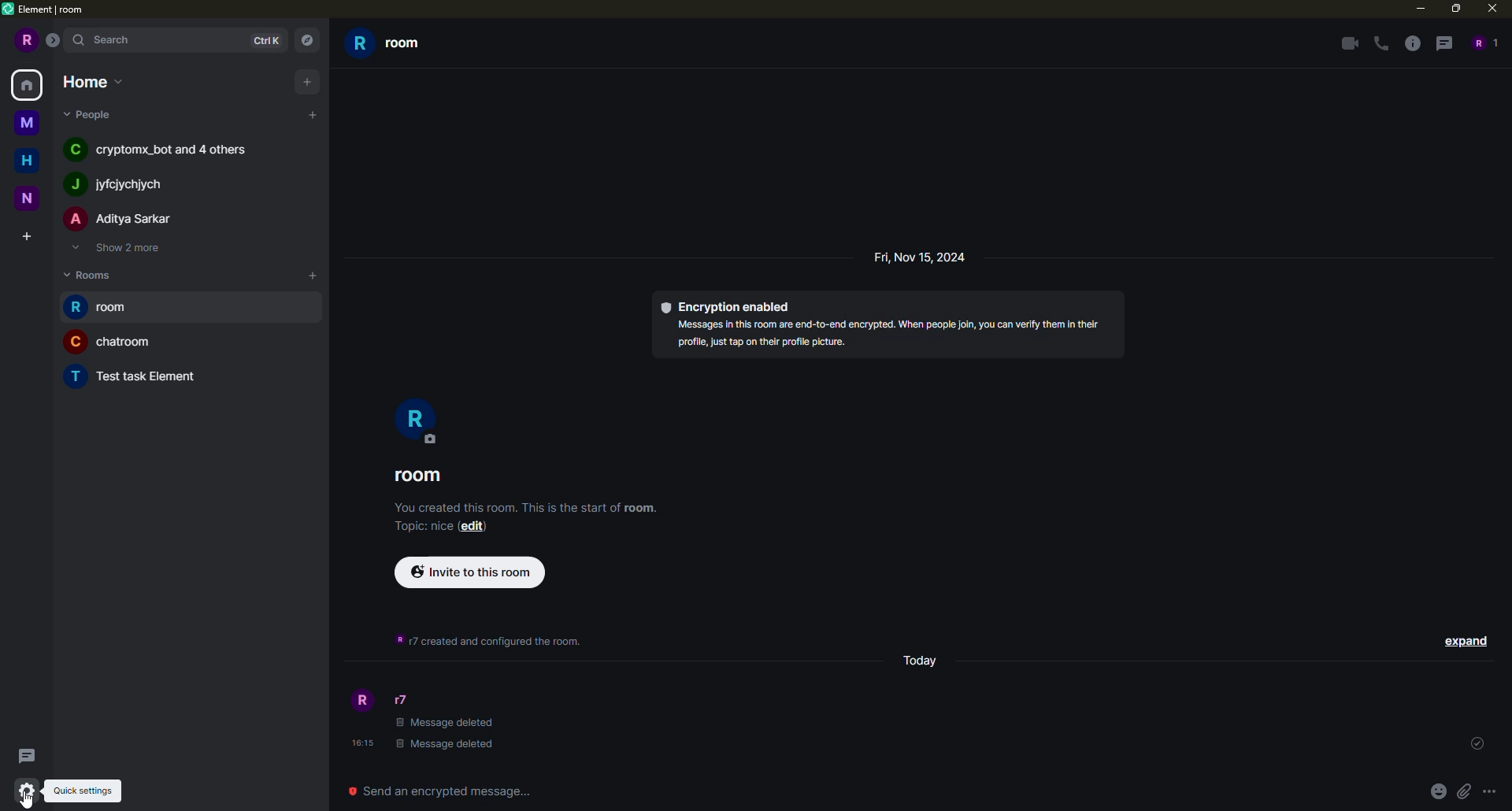 This screenshot has height=811, width=1512. I want to click on r7, so click(409, 700).